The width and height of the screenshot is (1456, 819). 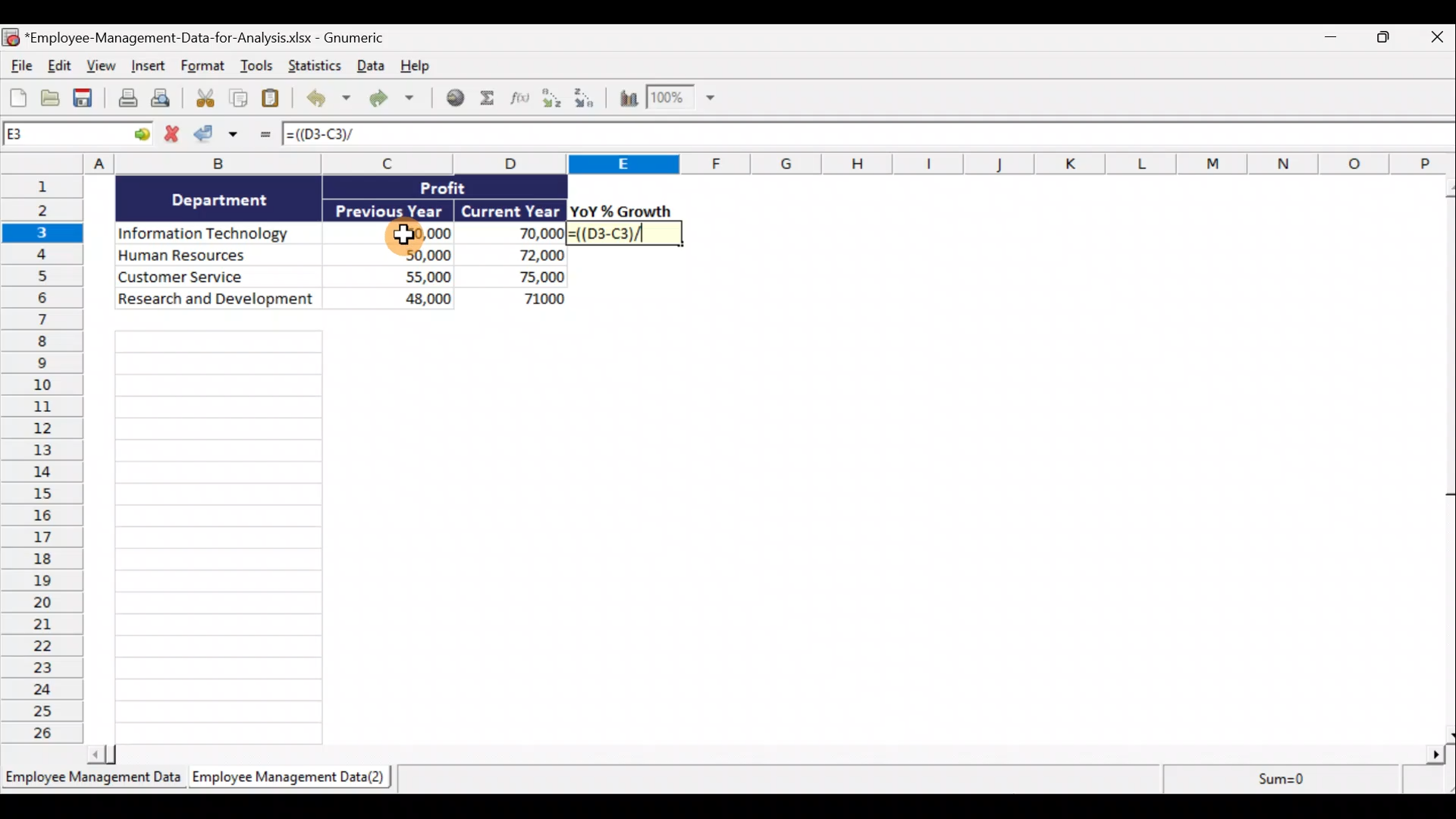 What do you see at coordinates (126, 100) in the screenshot?
I see `Print the current file` at bounding box center [126, 100].